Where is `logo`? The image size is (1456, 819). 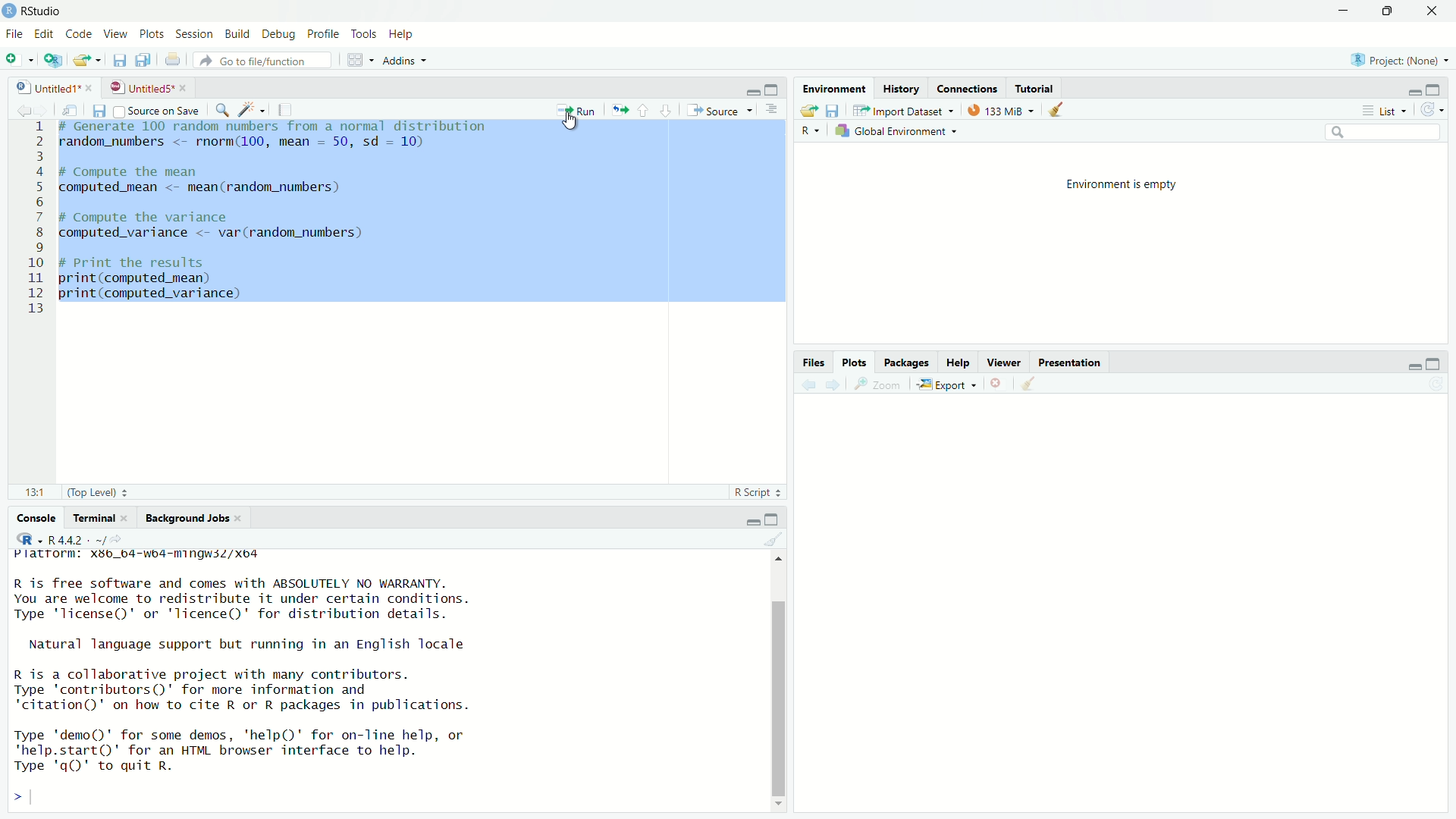
logo is located at coordinates (9, 11).